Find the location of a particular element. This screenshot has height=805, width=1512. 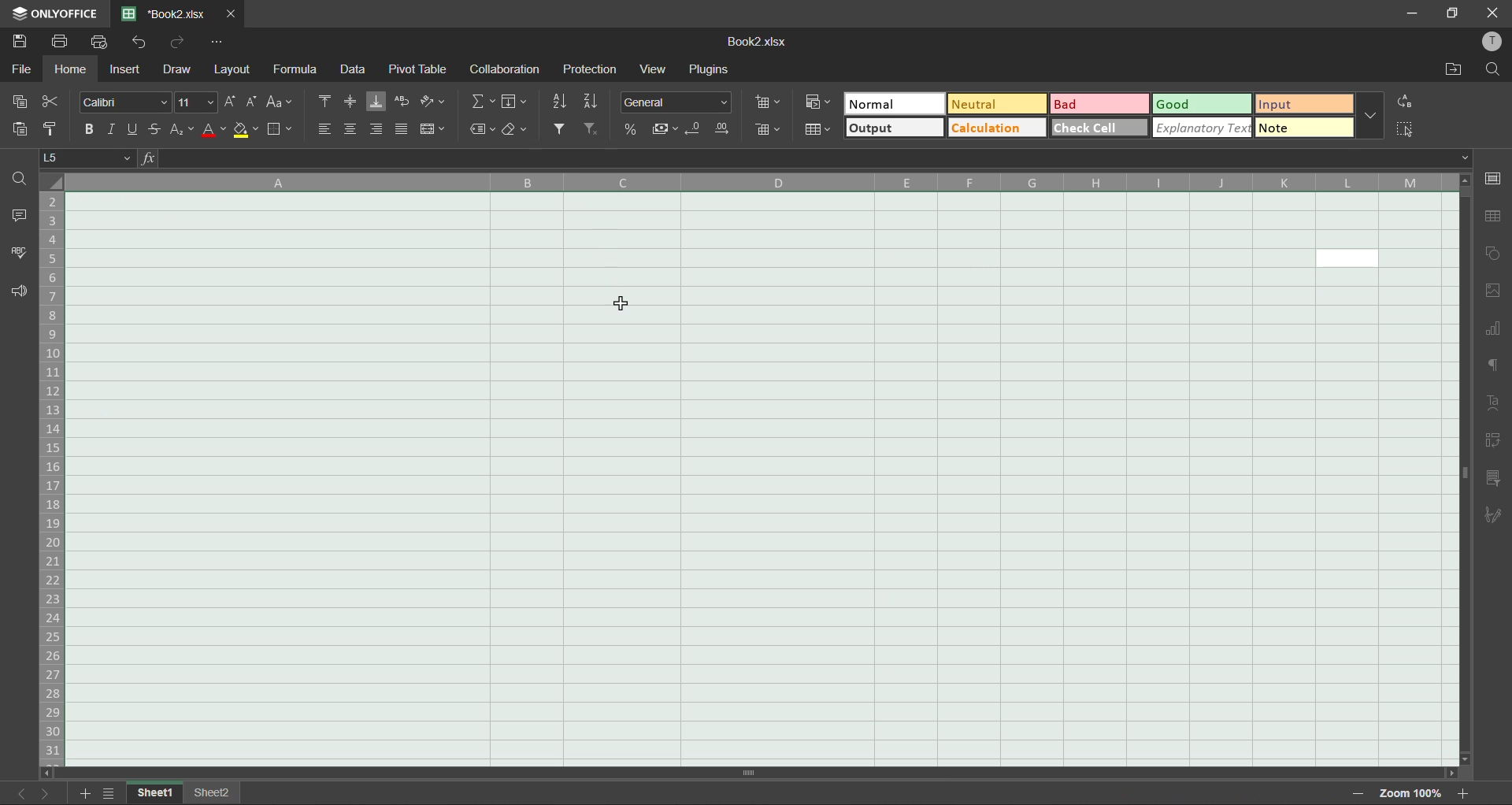

zoom out is located at coordinates (1353, 795).